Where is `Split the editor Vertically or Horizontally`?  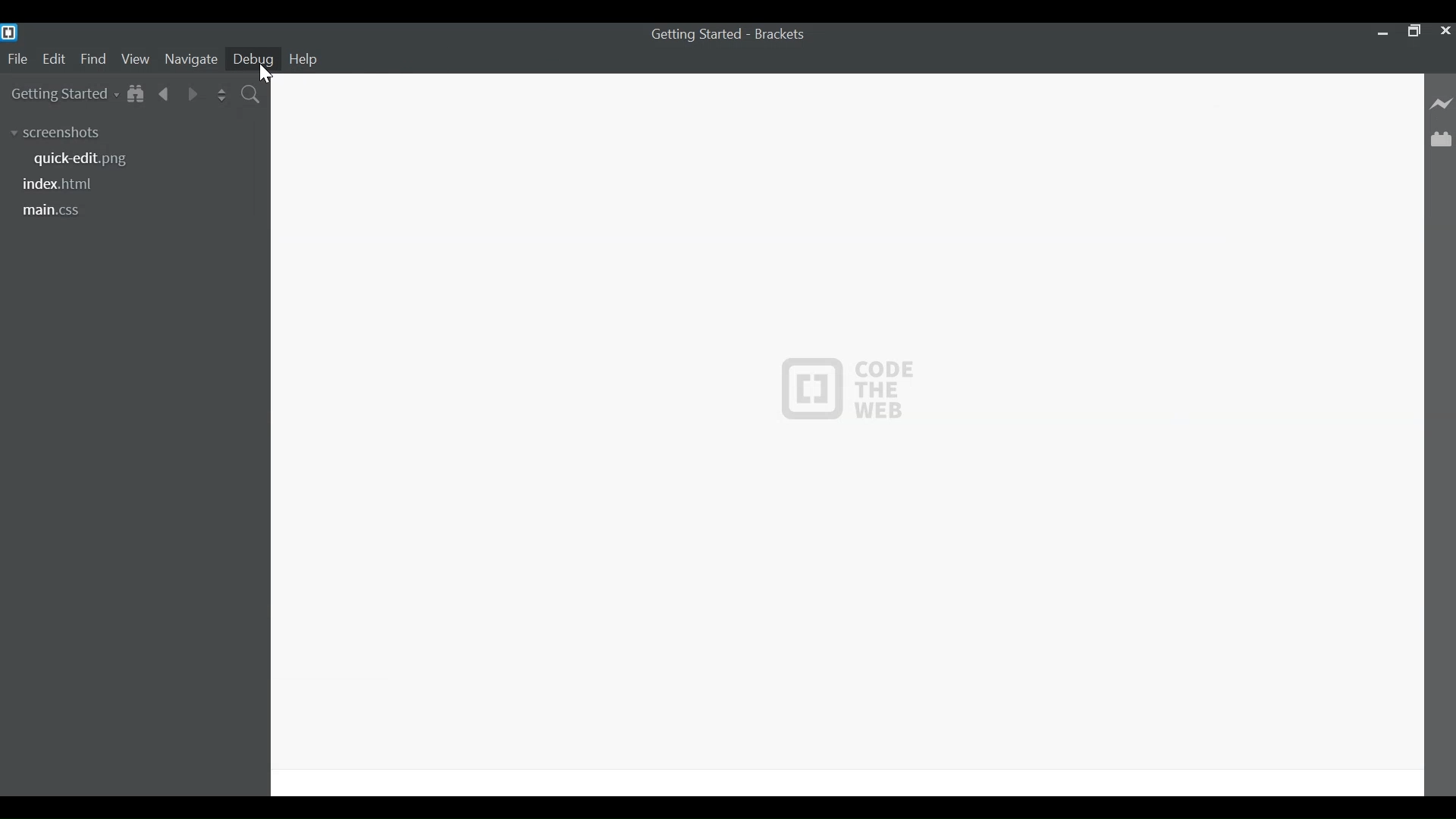
Split the editor Vertically or Horizontally is located at coordinates (221, 93).